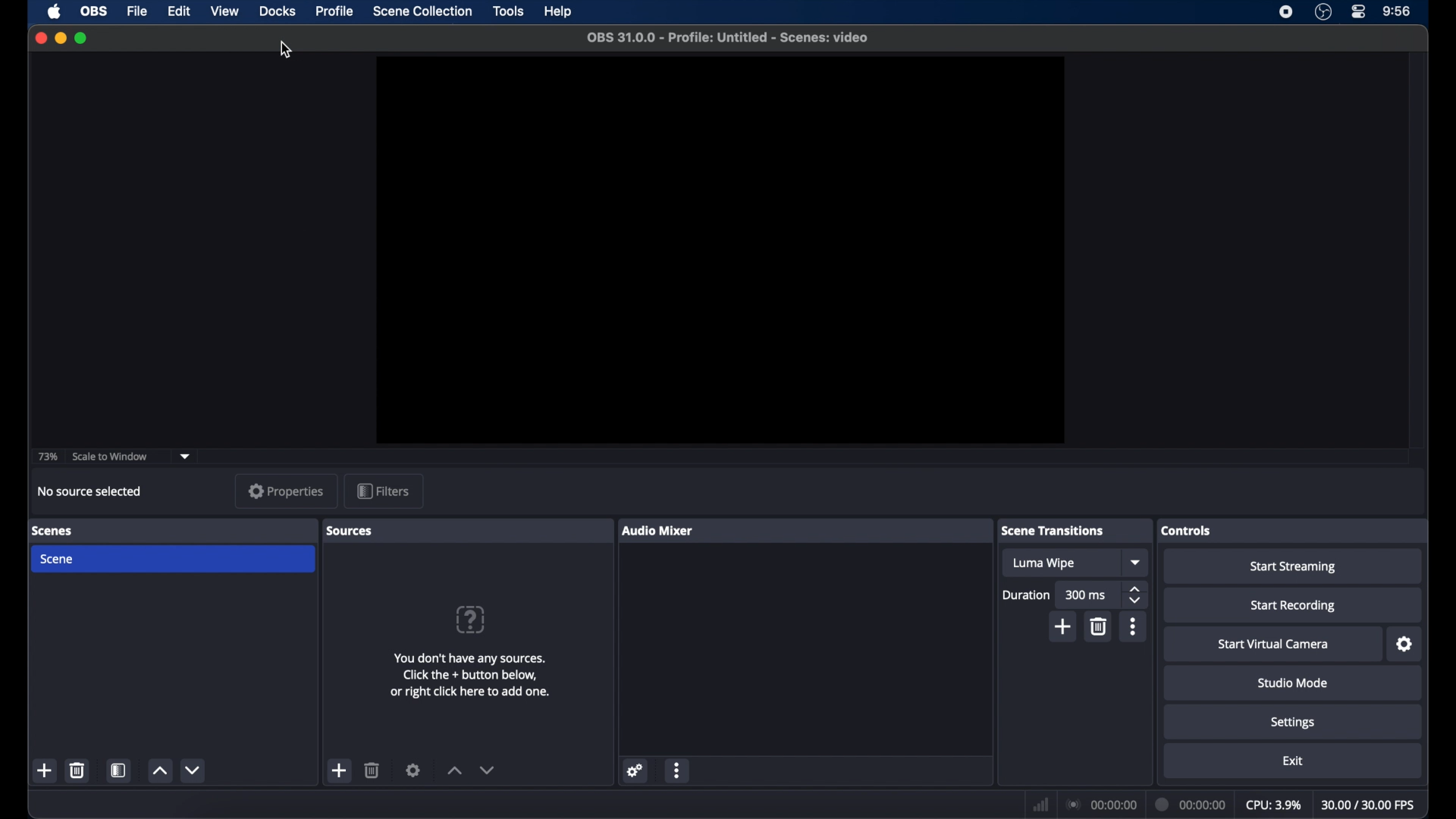 The image size is (1456, 819). What do you see at coordinates (1190, 805) in the screenshot?
I see `duration` at bounding box center [1190, 805].